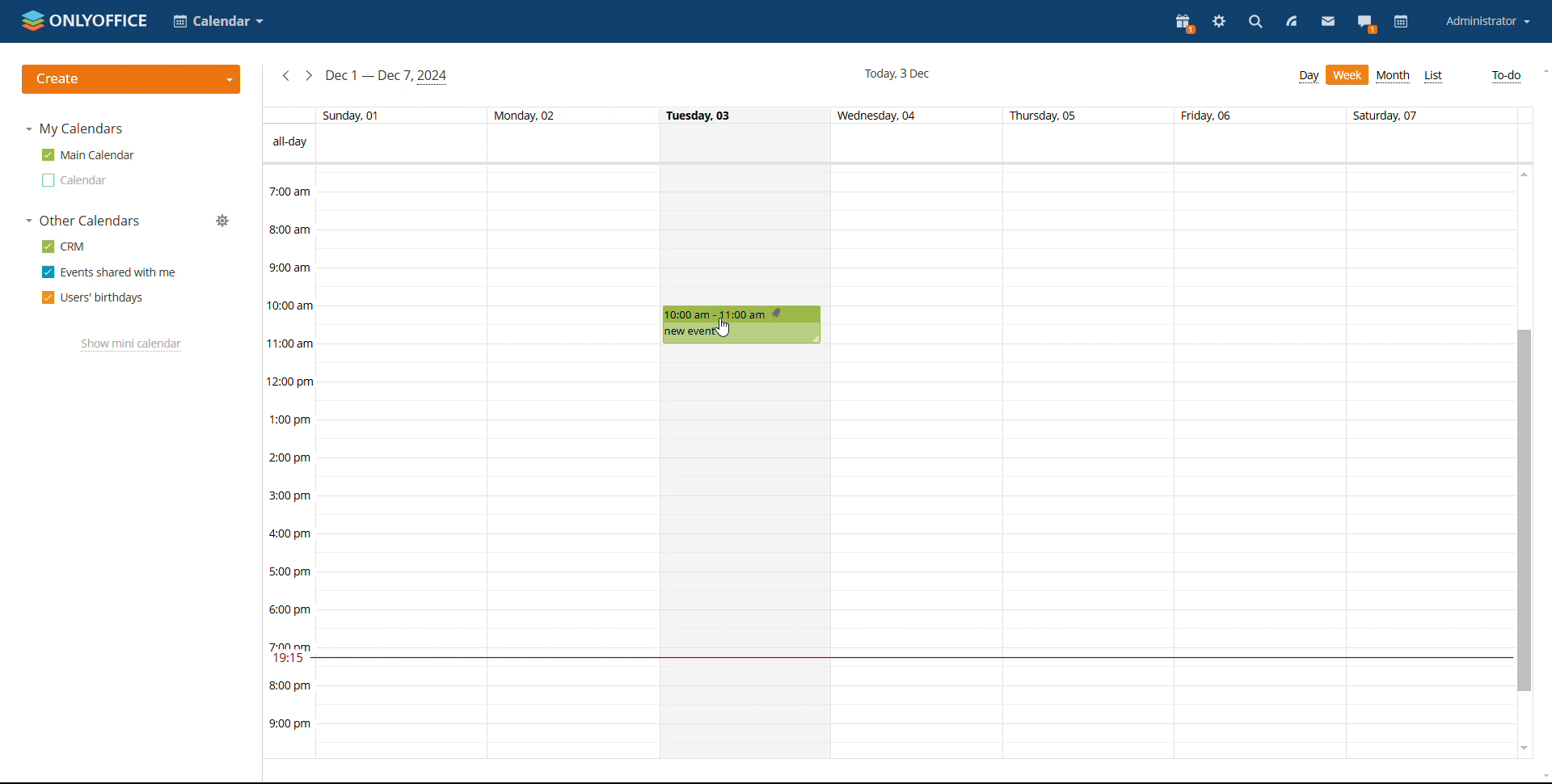 The height and width of the screenshot is (784, 1552). Describe the element at coordinates (289, 570) in the screenshot. I see `5:00 pm` at that location.